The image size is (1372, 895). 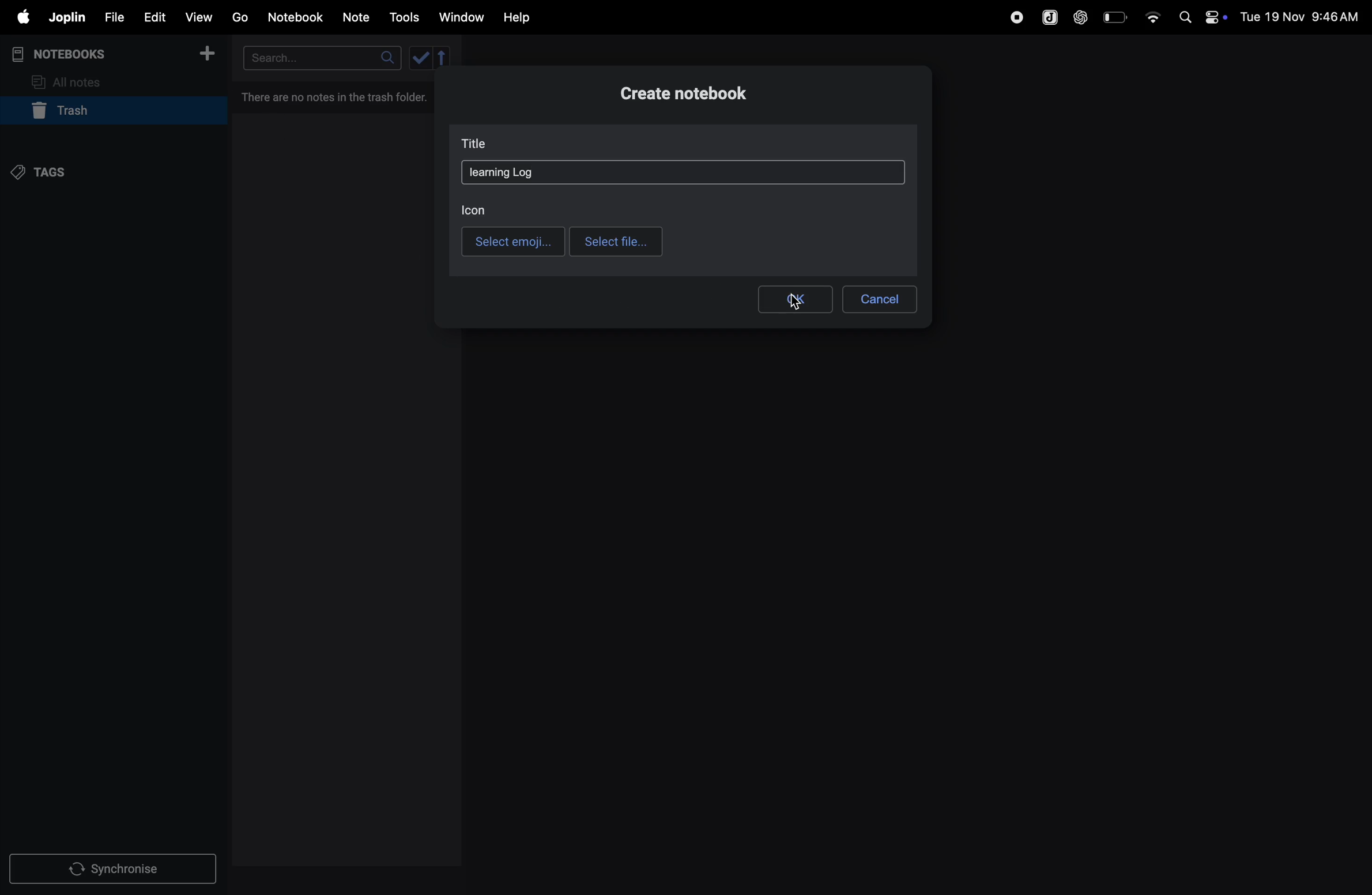 What do you see at coordinates (1016, 16) in the screenshot?
I see `record` at bounding box center [1016, 16].